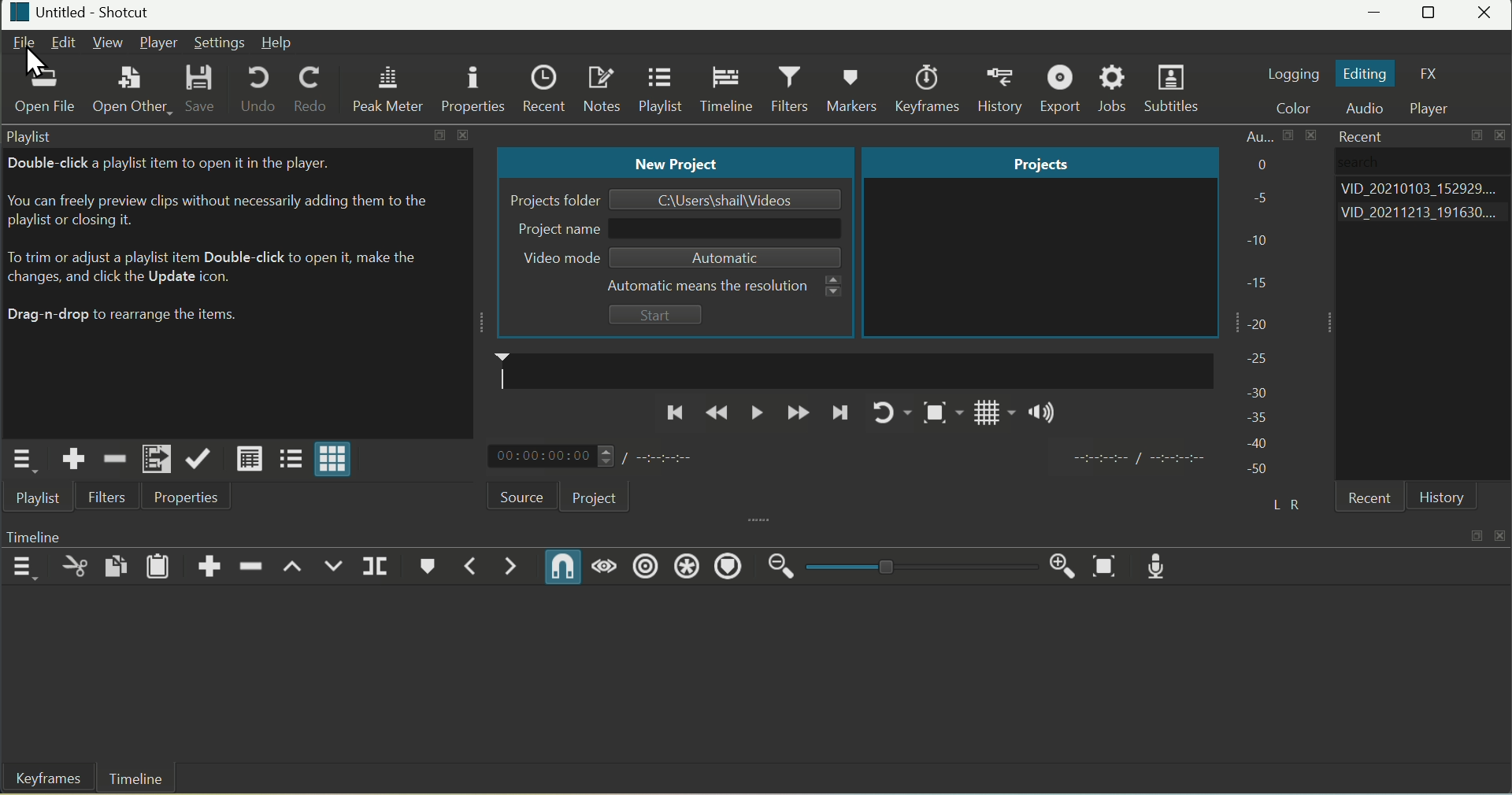  Describe the element at coordinates (57, 534) in the screenshot. I see `Timeline` at that location.